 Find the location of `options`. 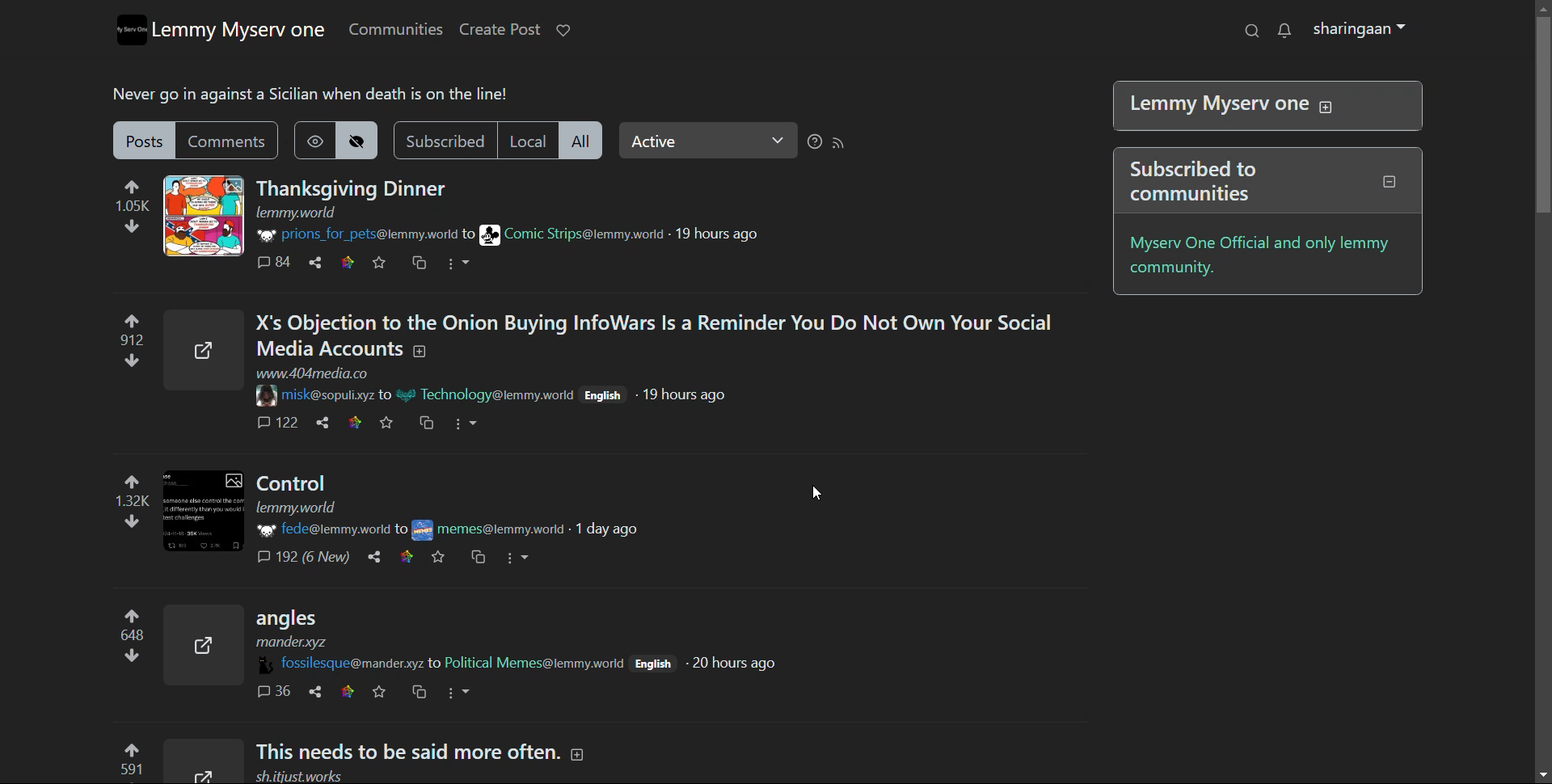

options is located at coordinates (459, 263).